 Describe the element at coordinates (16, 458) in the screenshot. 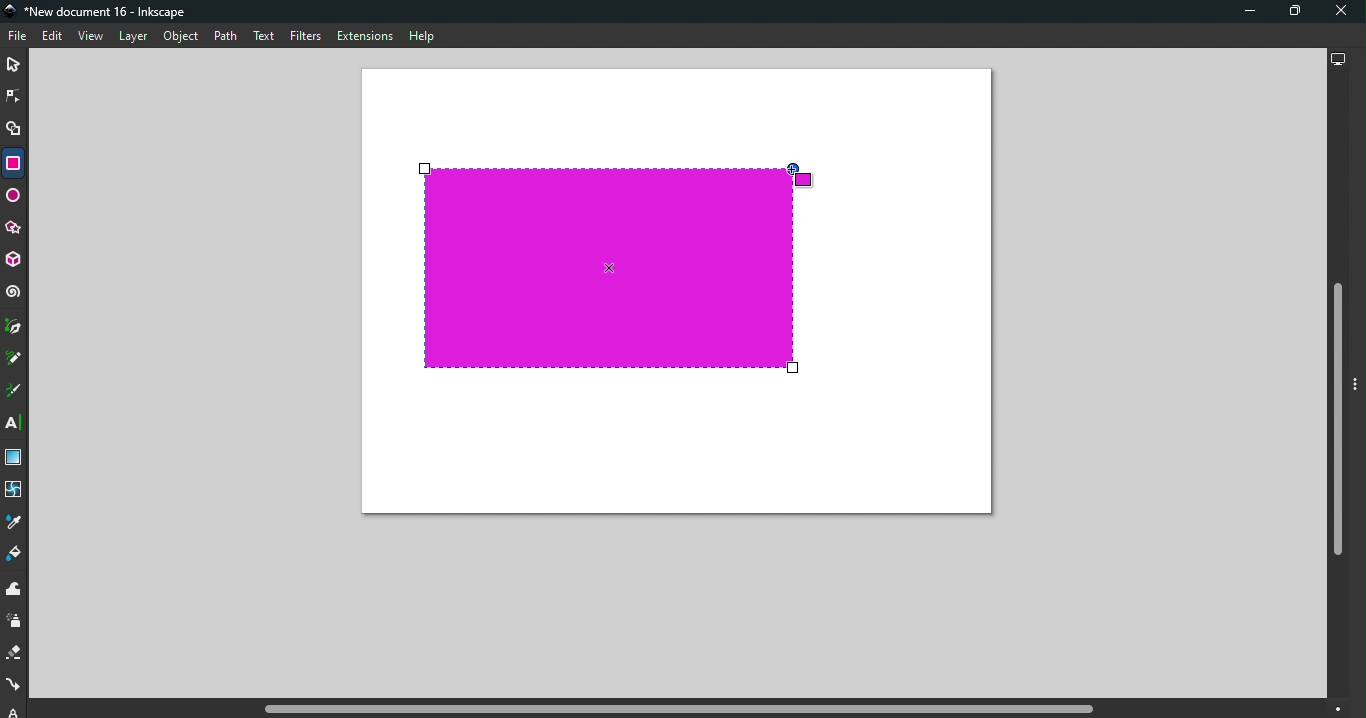

I see `Gradient tool` at that location.